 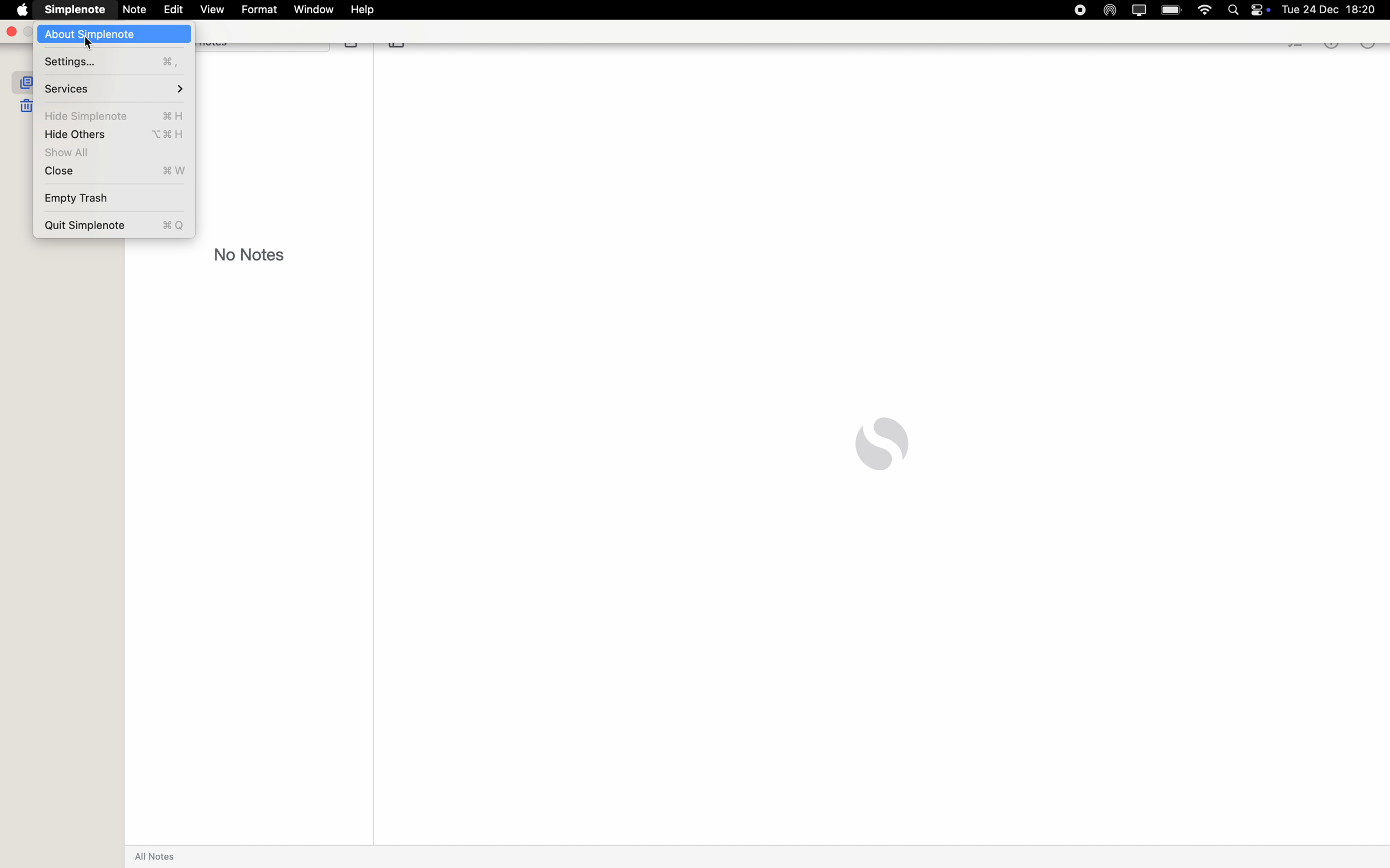 I want to click on hide Simplenote , so click(x=119, y=115).